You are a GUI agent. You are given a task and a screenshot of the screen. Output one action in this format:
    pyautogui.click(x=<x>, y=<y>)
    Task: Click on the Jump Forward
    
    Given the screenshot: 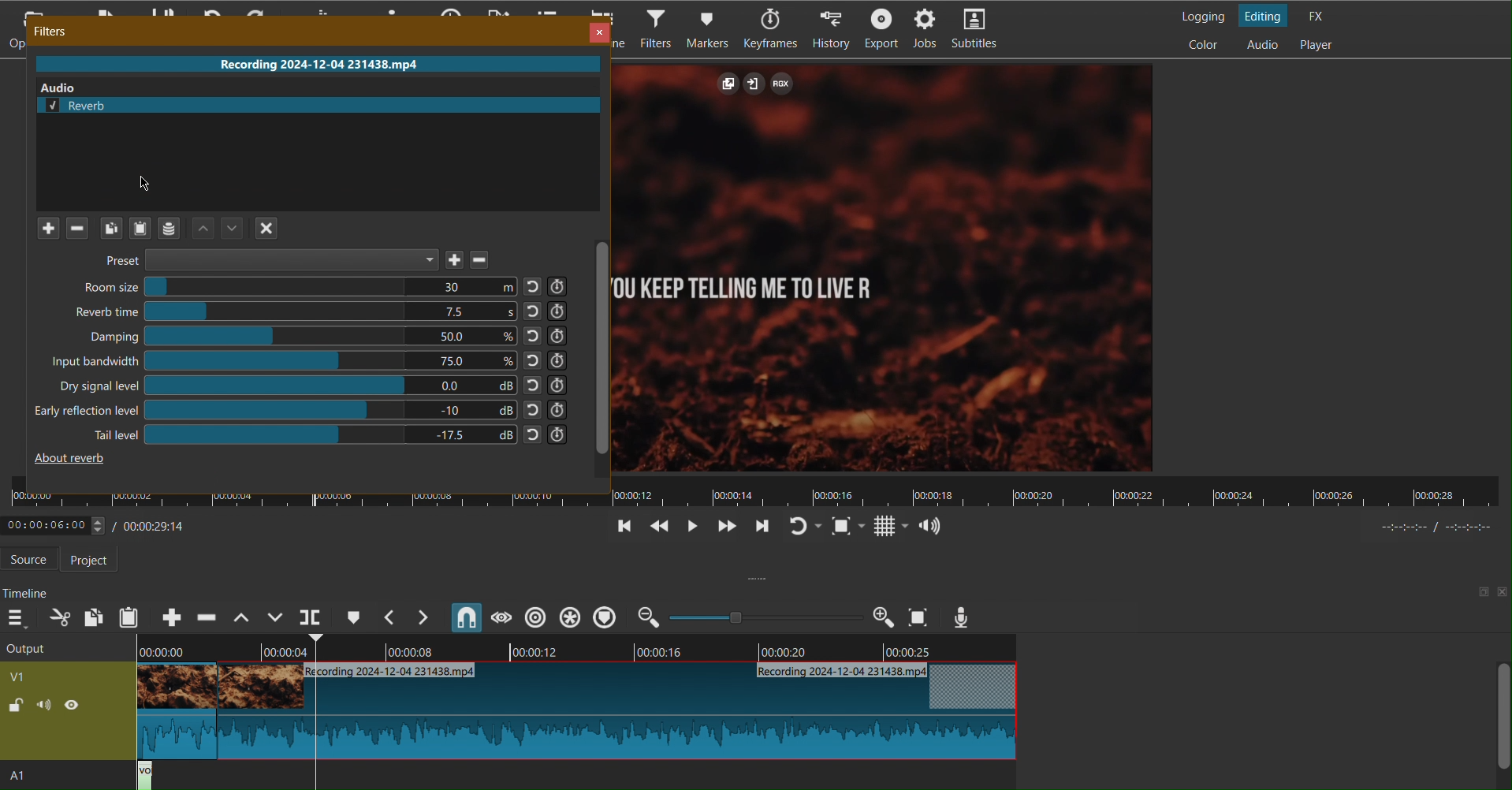 What is the action you would take?
    pyautogui.click(x=761, y=528)
    